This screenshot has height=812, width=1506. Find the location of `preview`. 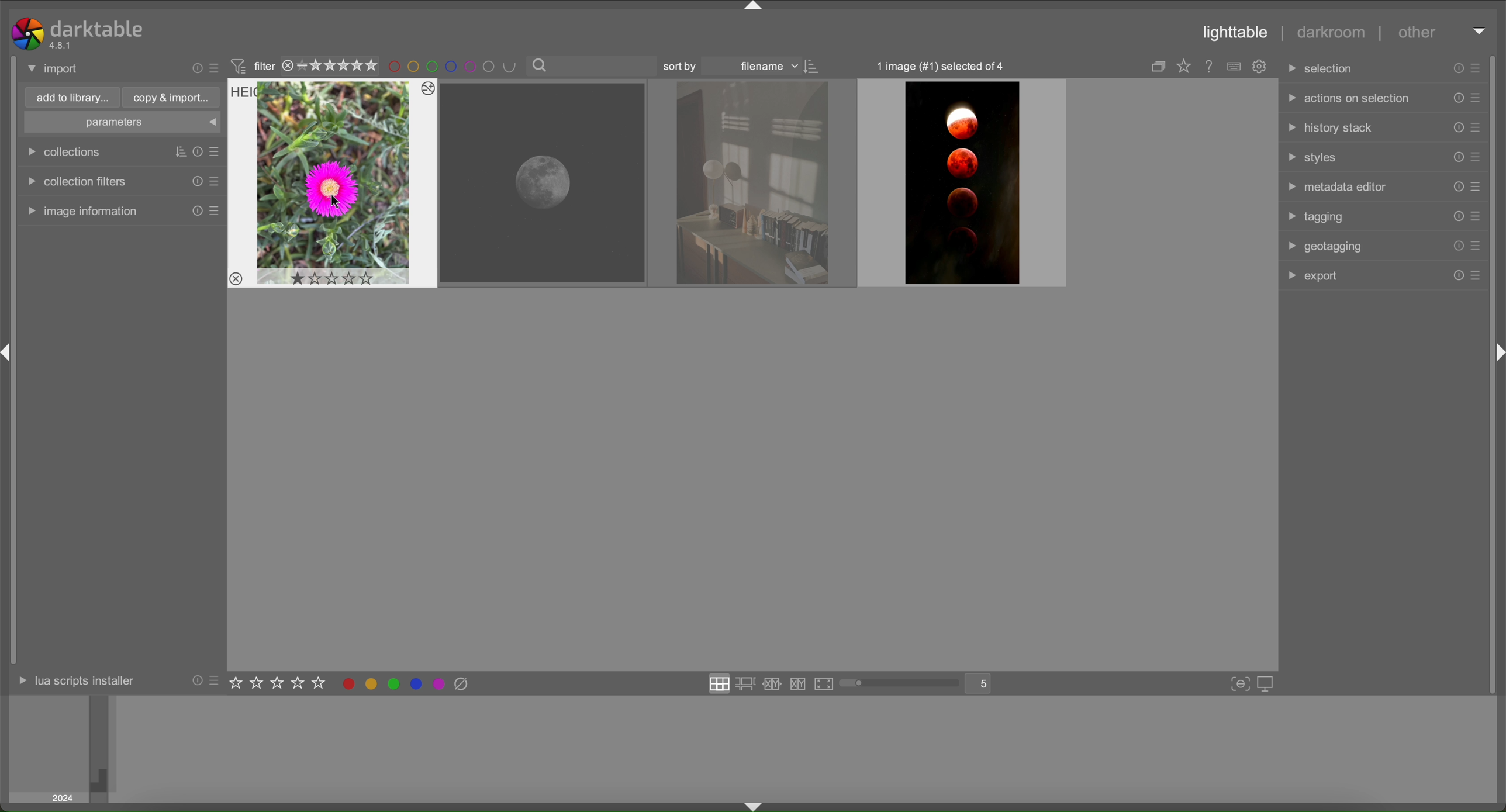

preview is located at coordinates (50, 749).